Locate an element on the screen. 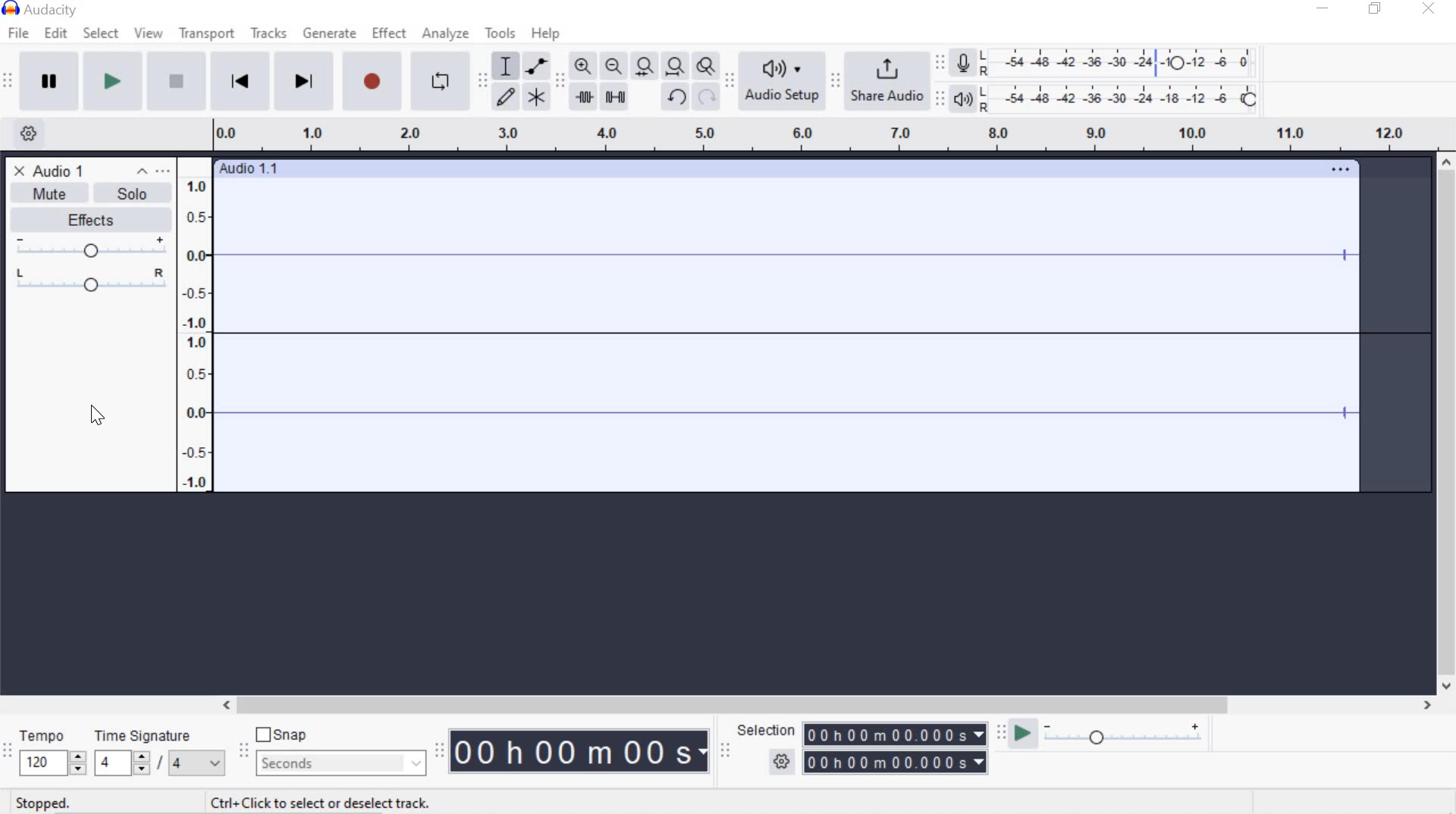  SELECTION OPTION is located at coordinates (783, 762).